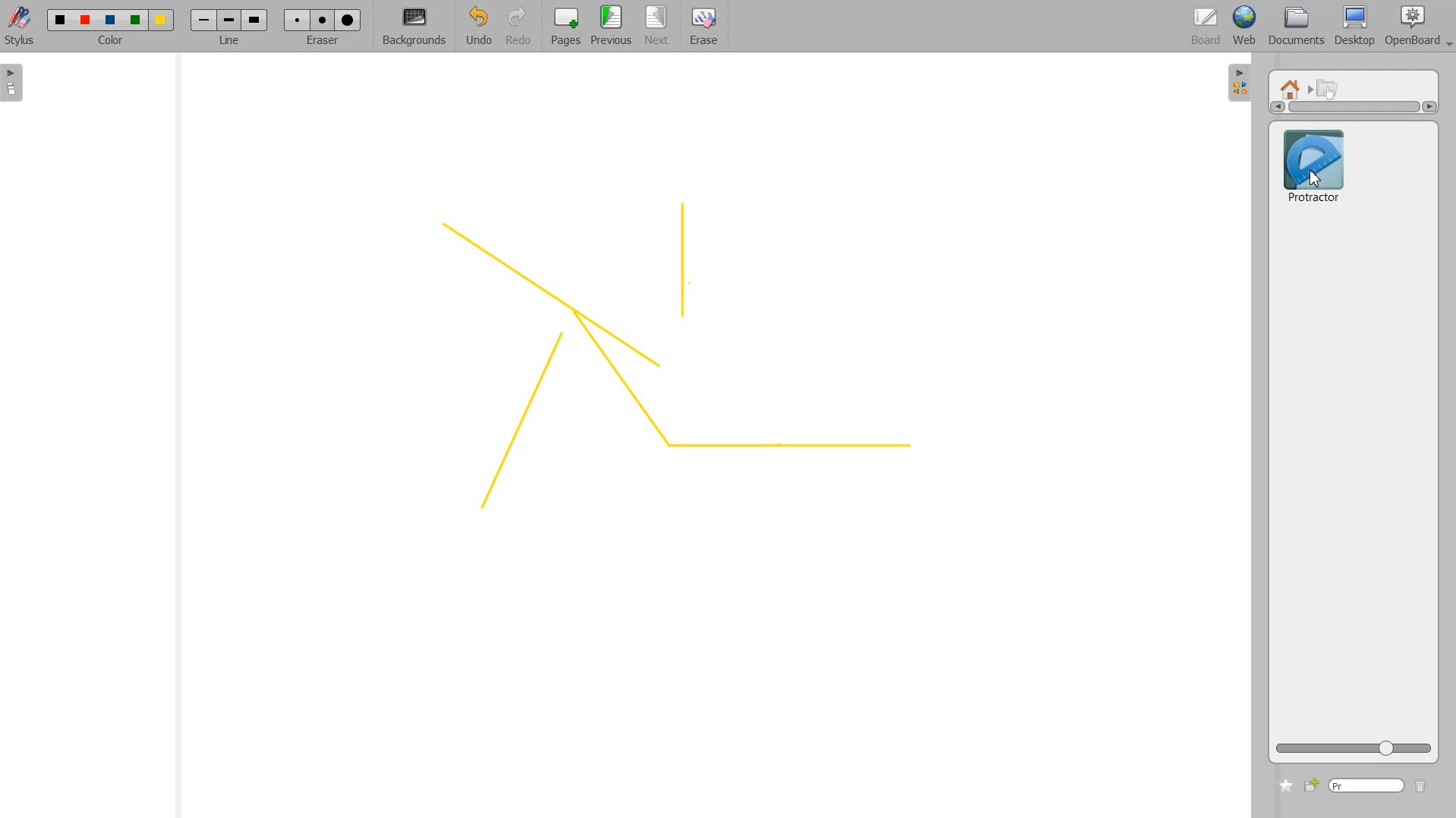 The height and width of the screenshot is (818, 1456). Describe the element at coordinates (518, 27) in the screenshot. I see `Redo` at that location.